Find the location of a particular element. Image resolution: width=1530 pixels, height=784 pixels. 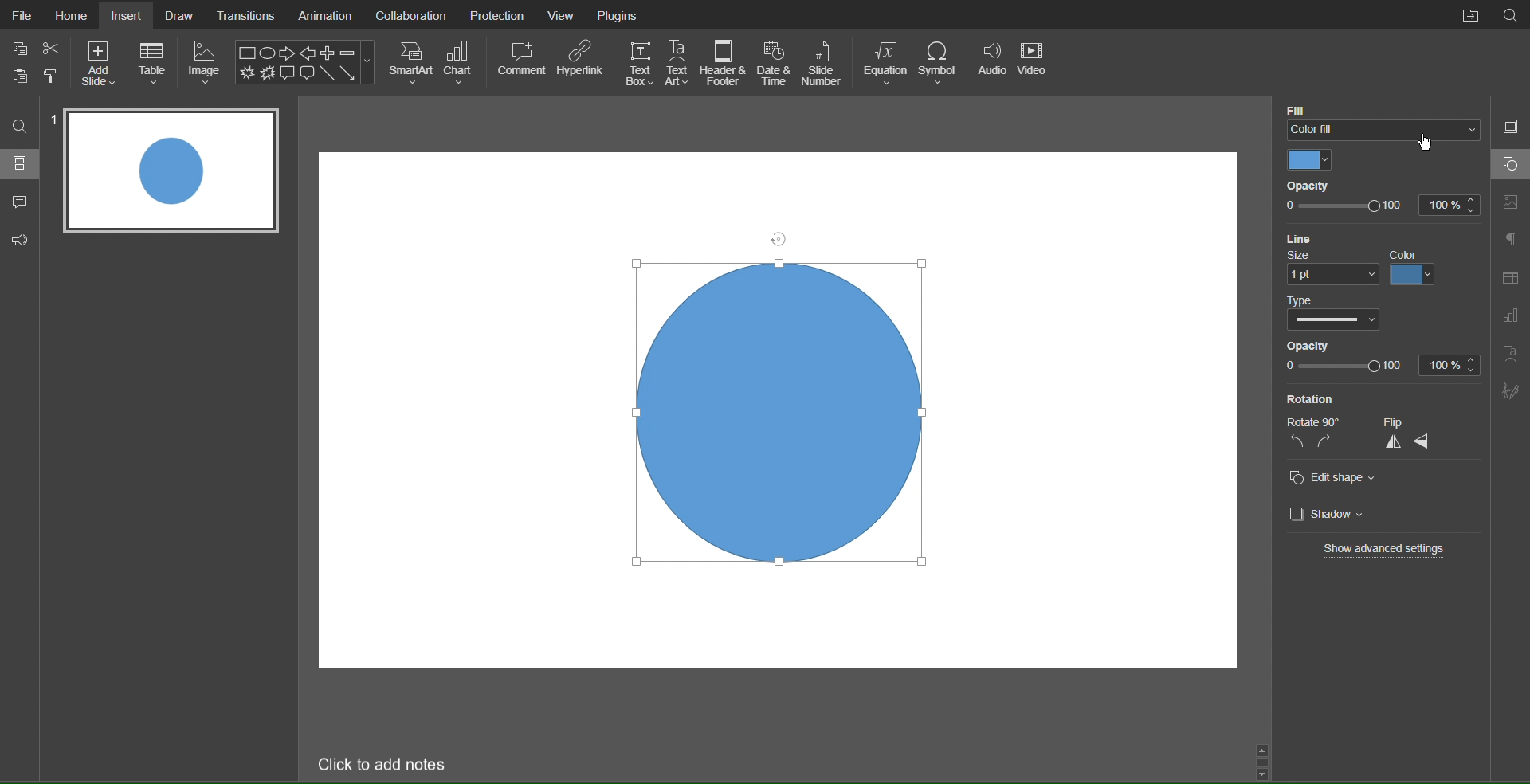

Search is located at coordinates (1512, 16).